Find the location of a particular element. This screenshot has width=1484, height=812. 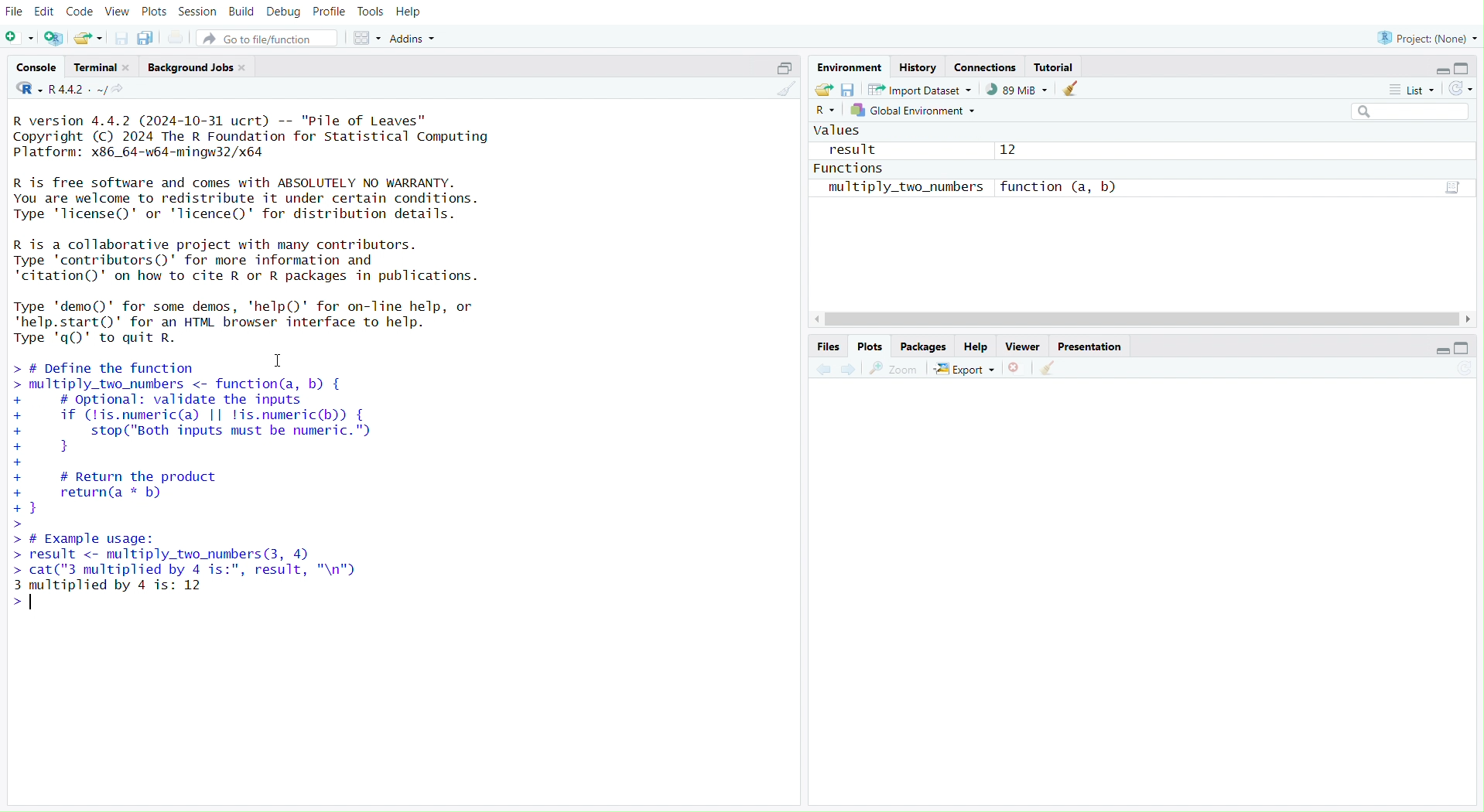

Background Jobs is located at coordinates (194, 67).